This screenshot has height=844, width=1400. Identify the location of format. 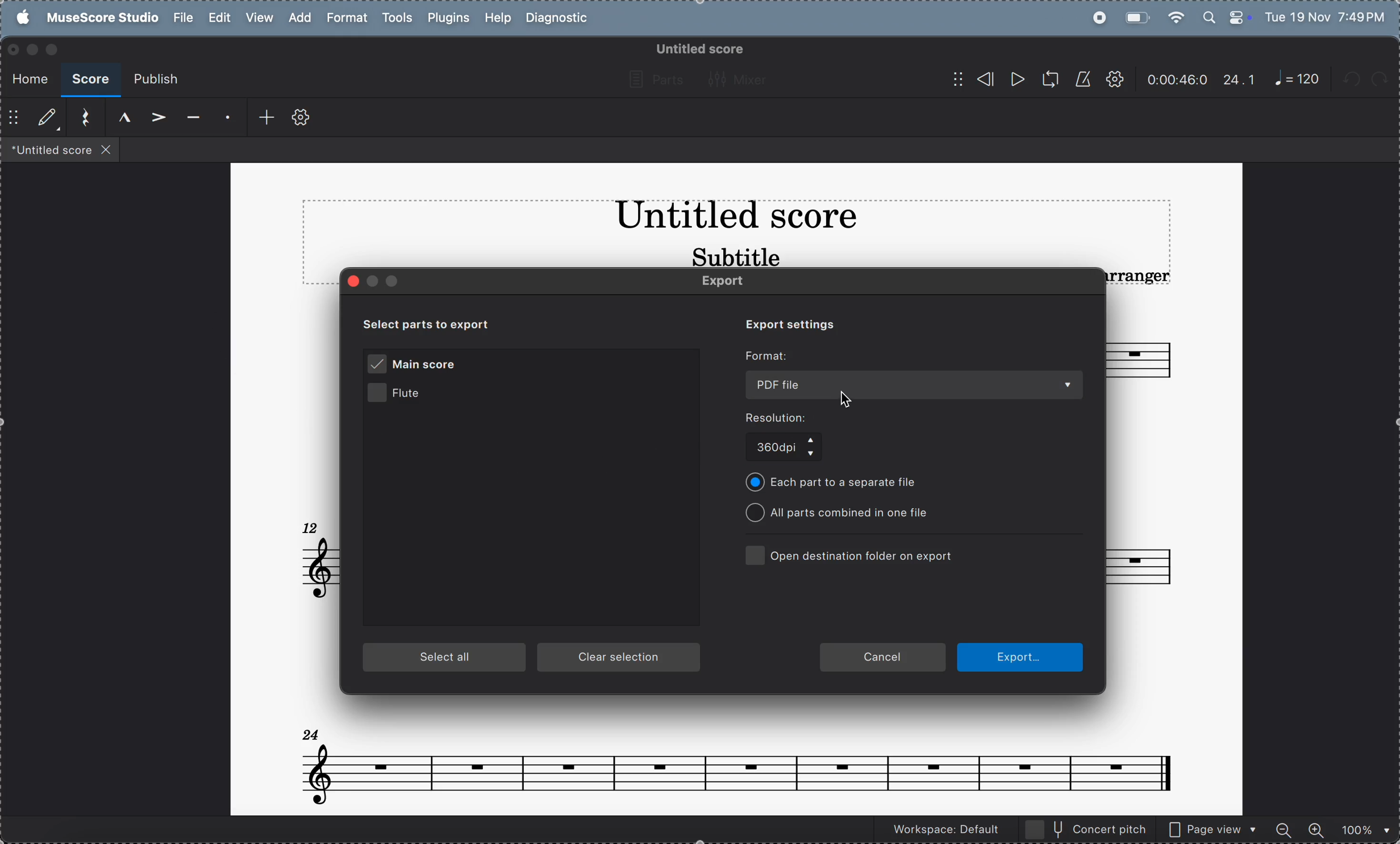
(346, 18).